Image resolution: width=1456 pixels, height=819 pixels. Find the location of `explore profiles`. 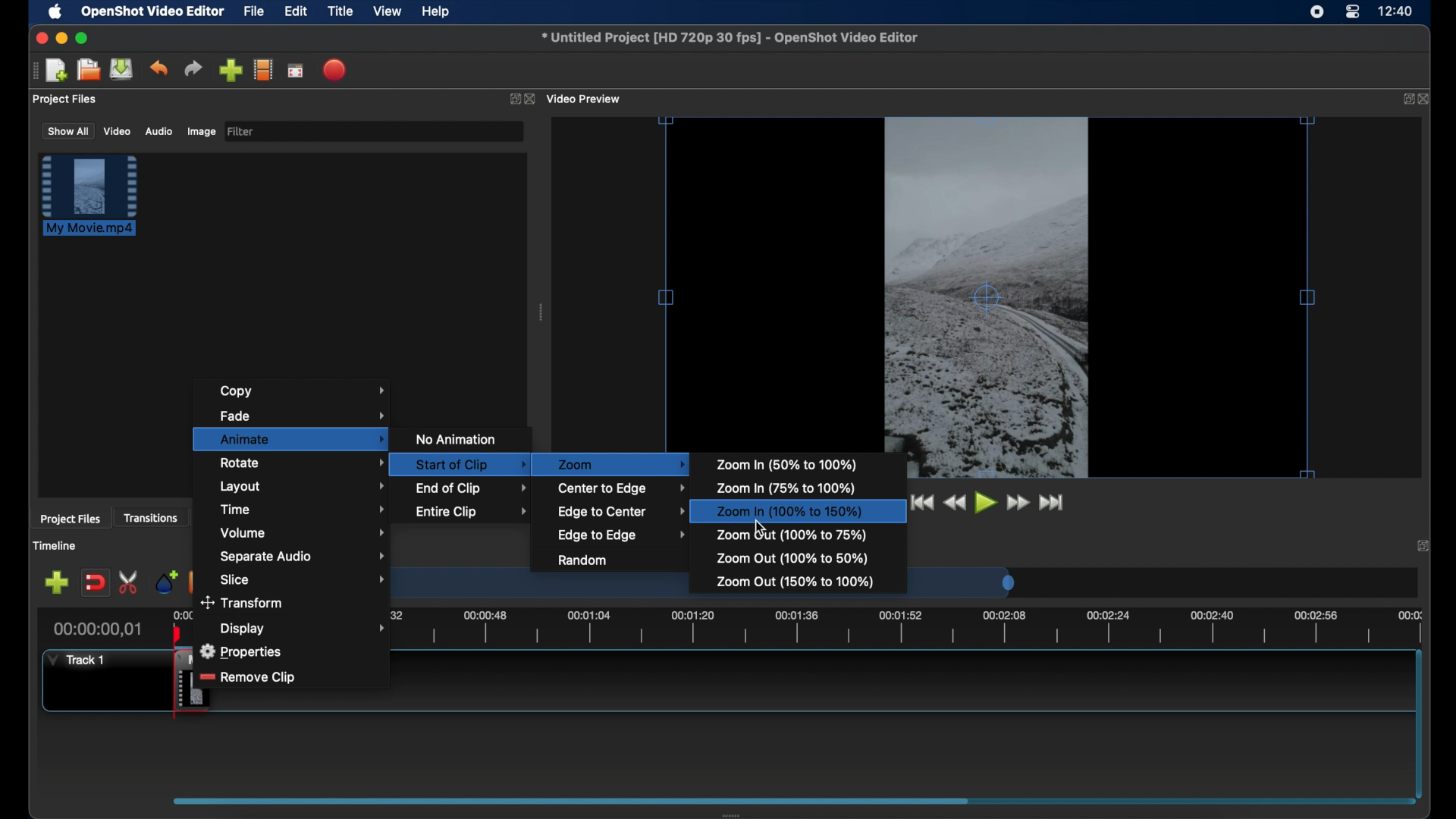

explore profiles is located at coordinates (262, 69).